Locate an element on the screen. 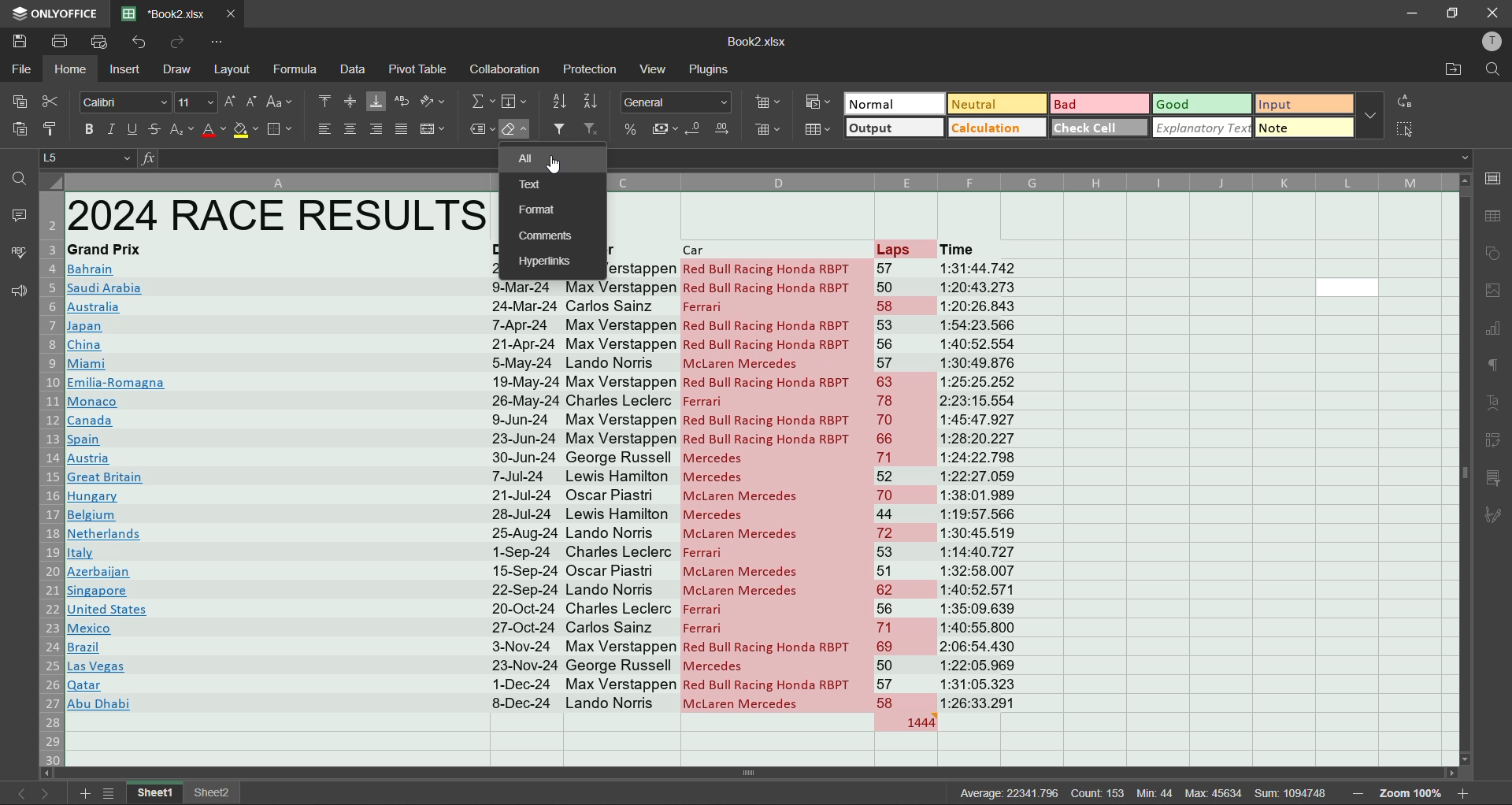 This screenshot has width=1512, height=805. average is located at coordinates (1007, 793).